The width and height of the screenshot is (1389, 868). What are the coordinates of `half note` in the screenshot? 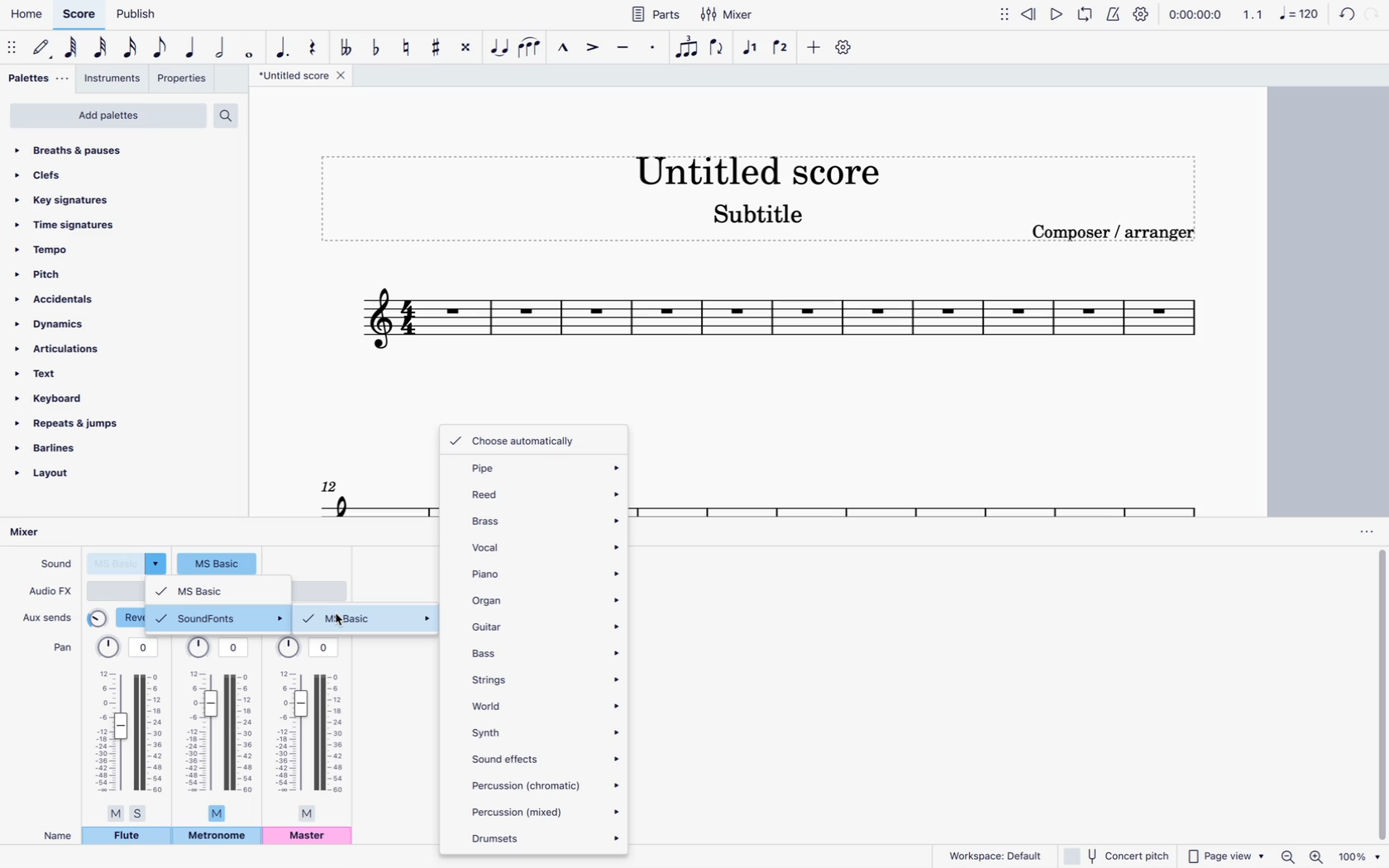 It's located at (222, 49).